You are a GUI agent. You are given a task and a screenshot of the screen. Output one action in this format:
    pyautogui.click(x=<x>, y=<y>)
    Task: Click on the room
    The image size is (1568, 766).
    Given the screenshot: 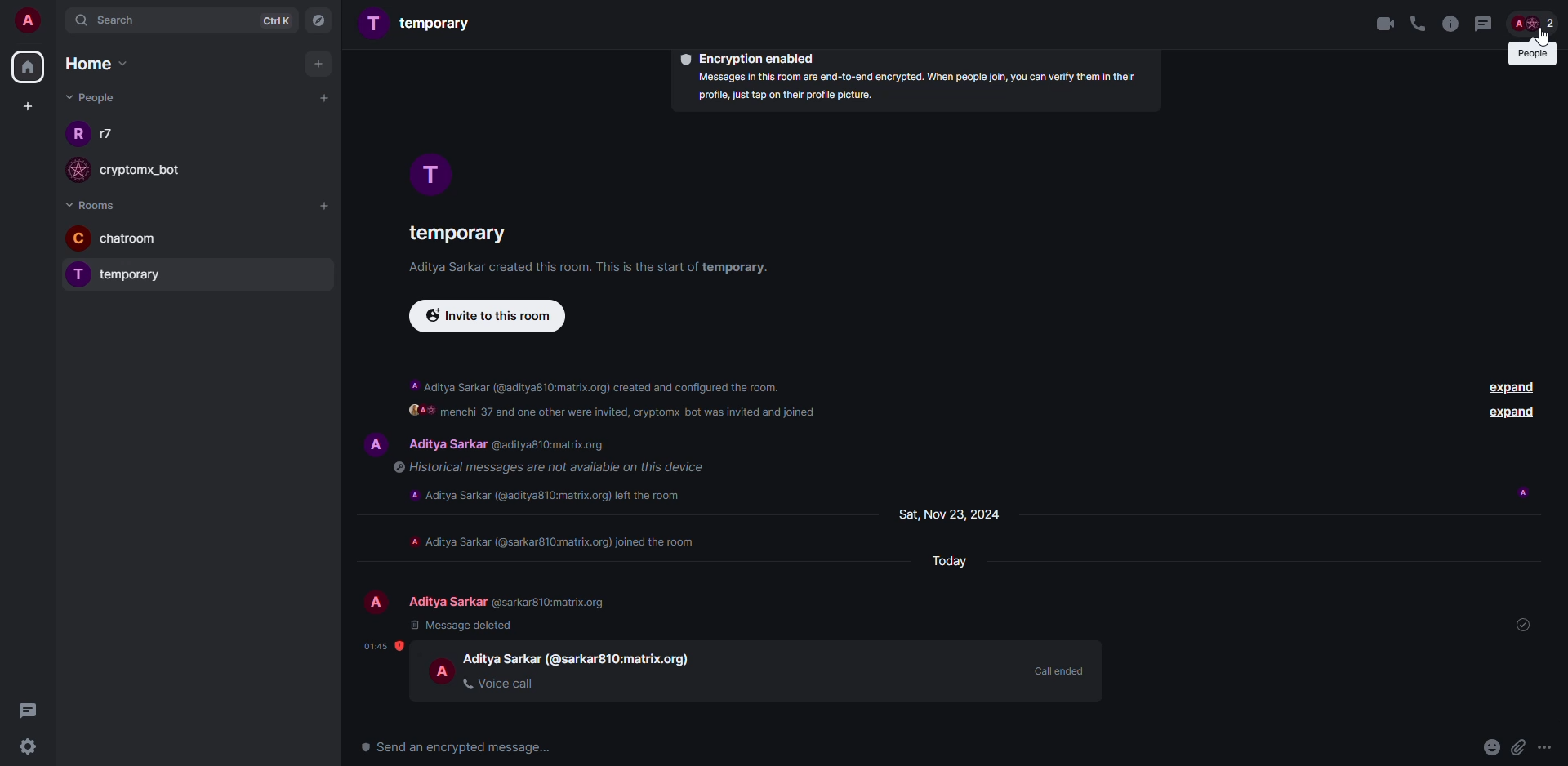 What is the action you would take?
    pyautogui.click(x=145, y=240)
    